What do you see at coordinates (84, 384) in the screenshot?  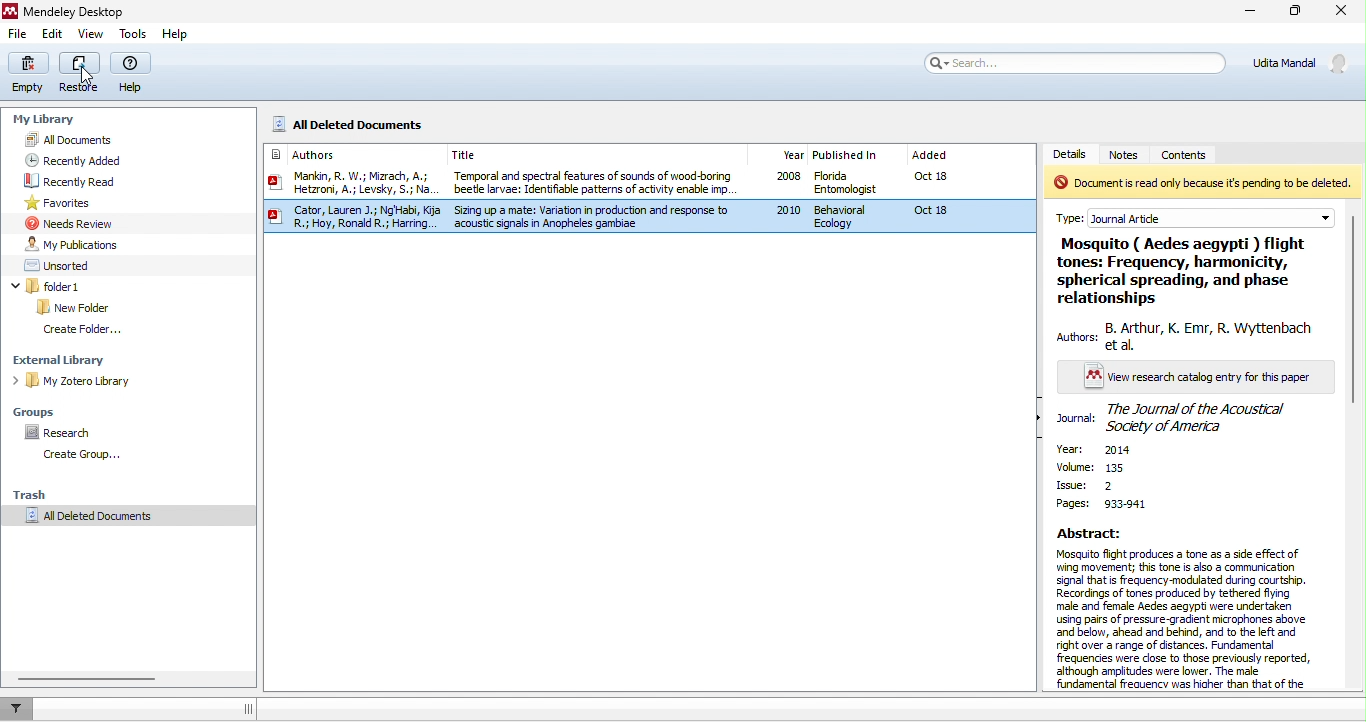 I see `my zotero library` at bounding box center [84, 384].